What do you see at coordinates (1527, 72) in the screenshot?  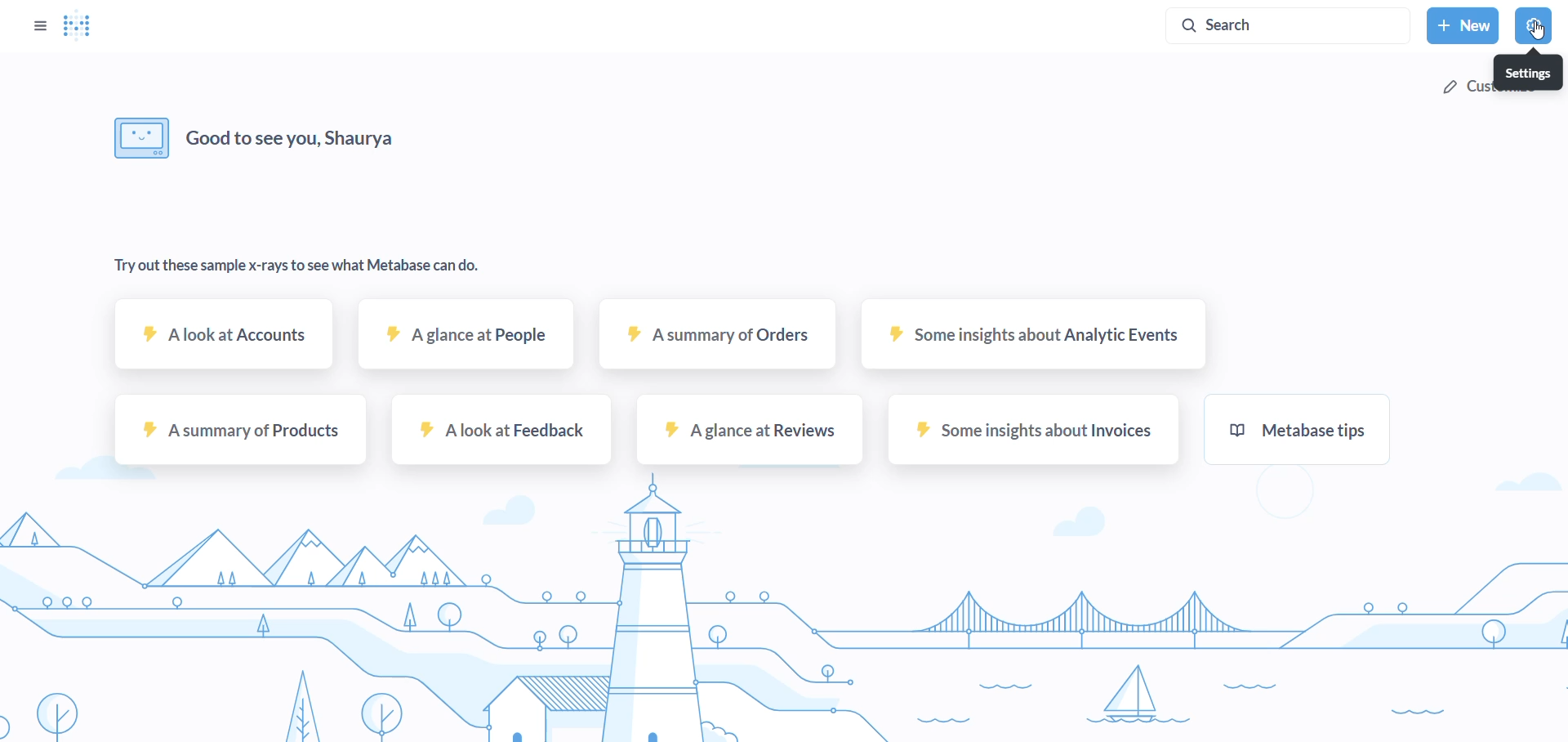 I see `settings` at bounding box center [1527, 72].